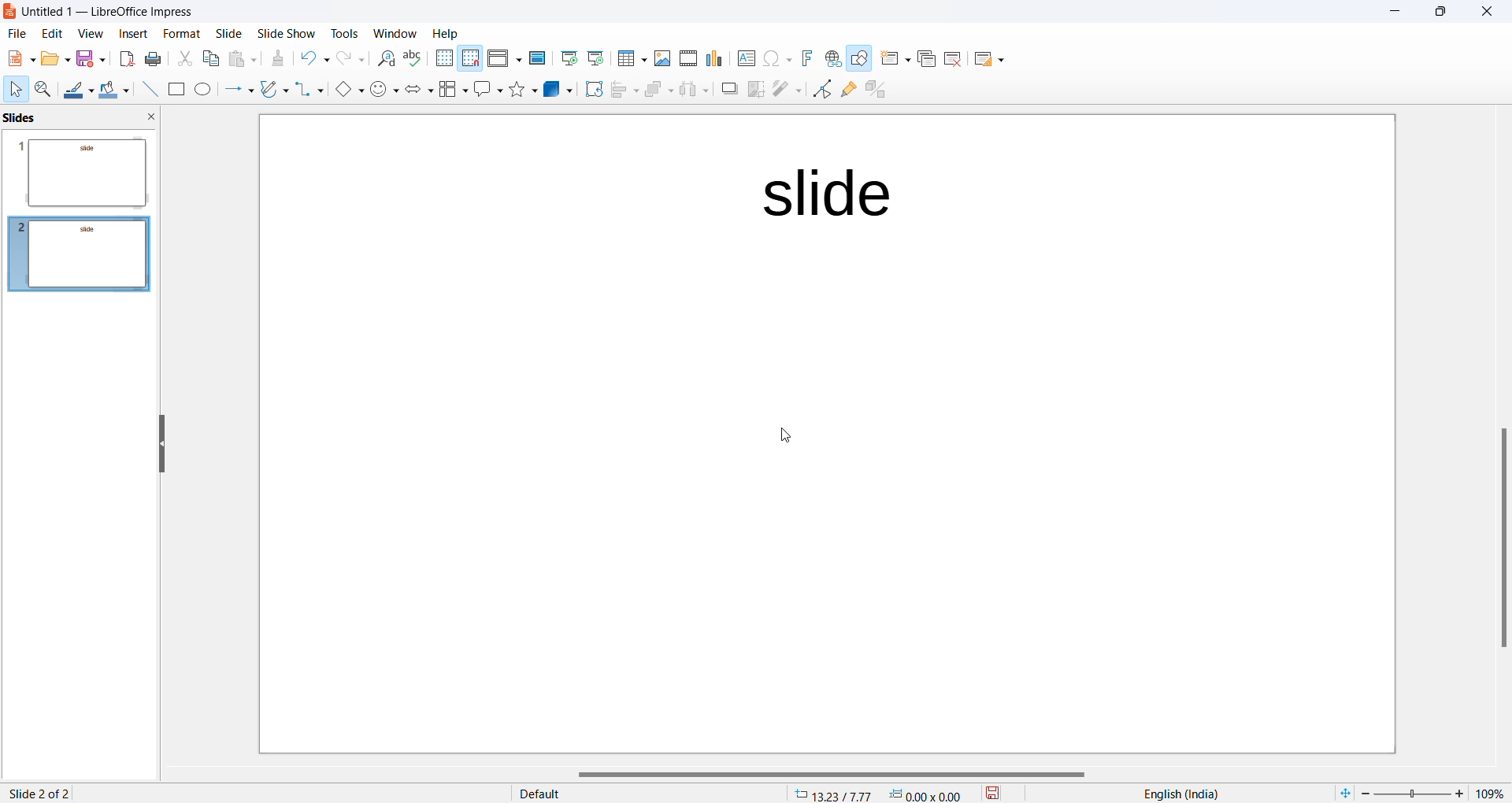 This screenshot has width=1512, height=803. What do you see at coordinates (384, 59) in the screenshot?
I see `Find and replace` at bounding box center [384, 59].